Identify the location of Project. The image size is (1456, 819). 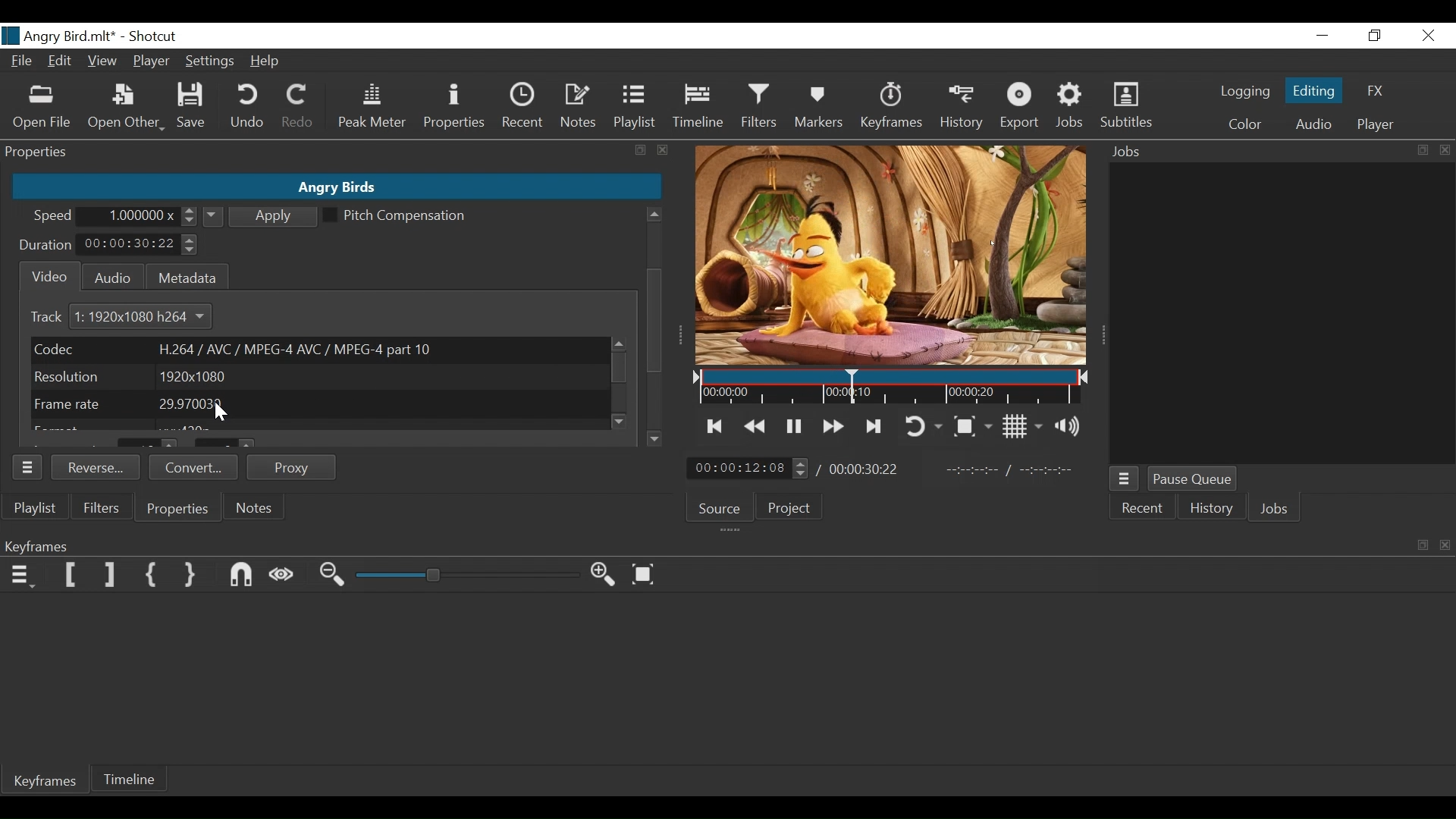
(792, 510).